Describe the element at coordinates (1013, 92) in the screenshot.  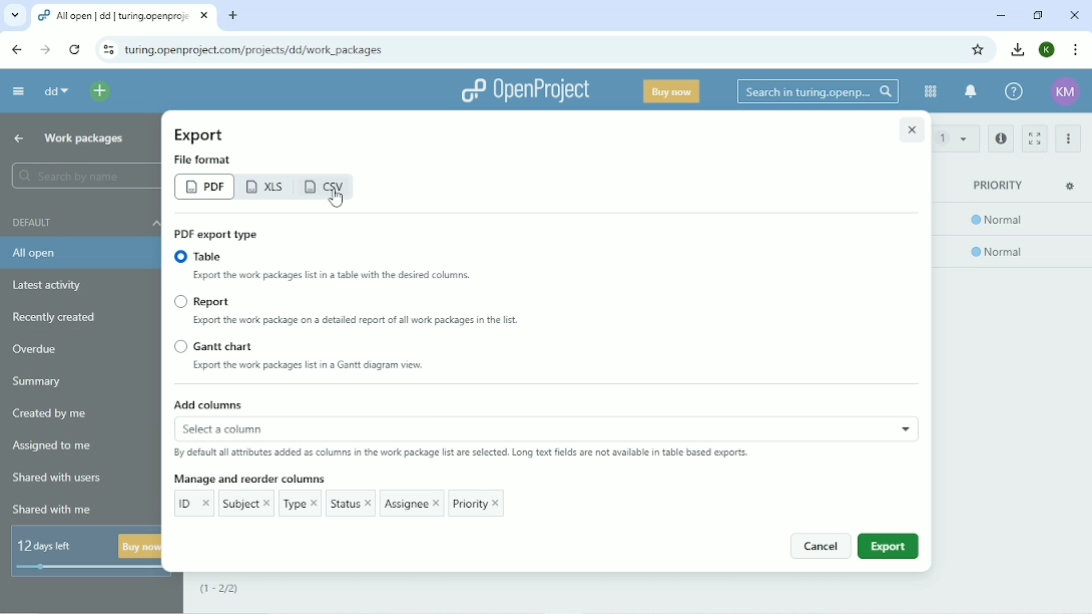
I see `Help` at that location.